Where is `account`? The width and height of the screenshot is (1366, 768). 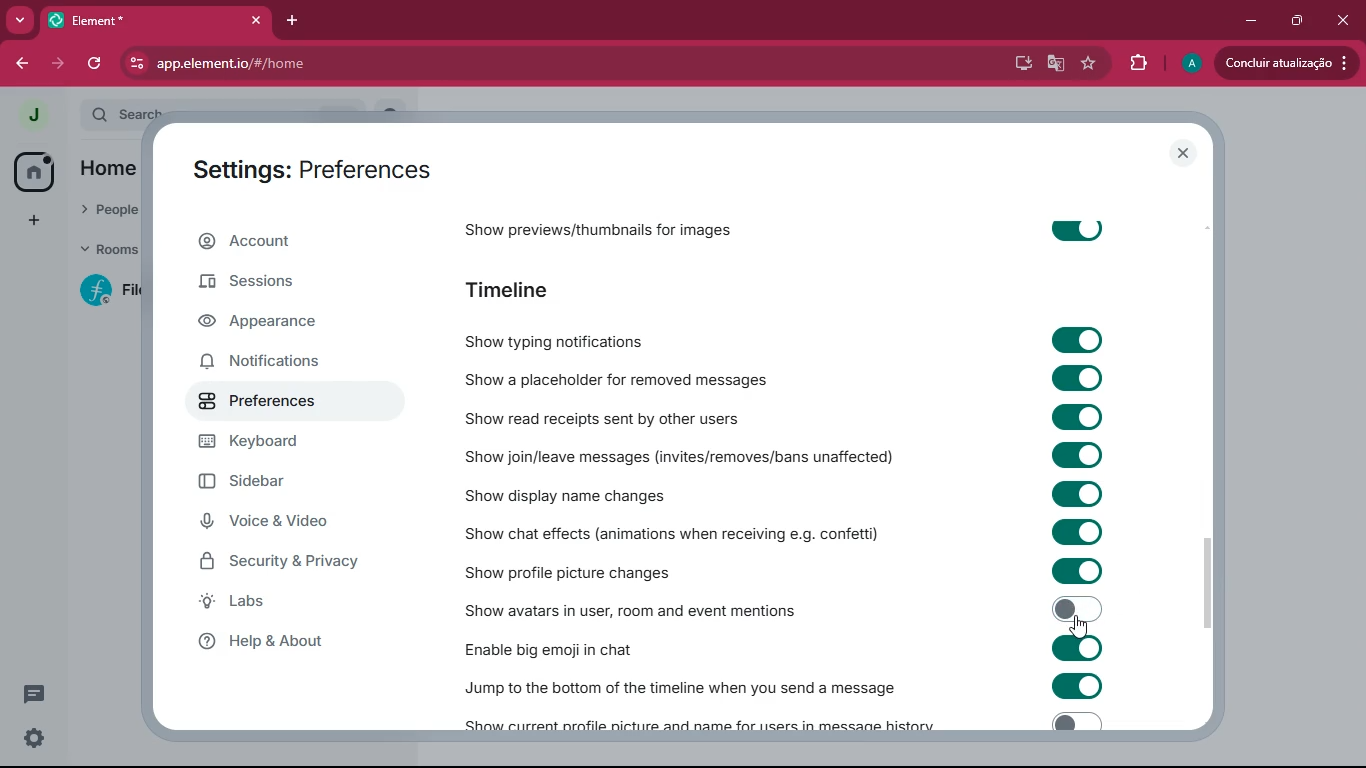 account is located at coordinates (289, 245).